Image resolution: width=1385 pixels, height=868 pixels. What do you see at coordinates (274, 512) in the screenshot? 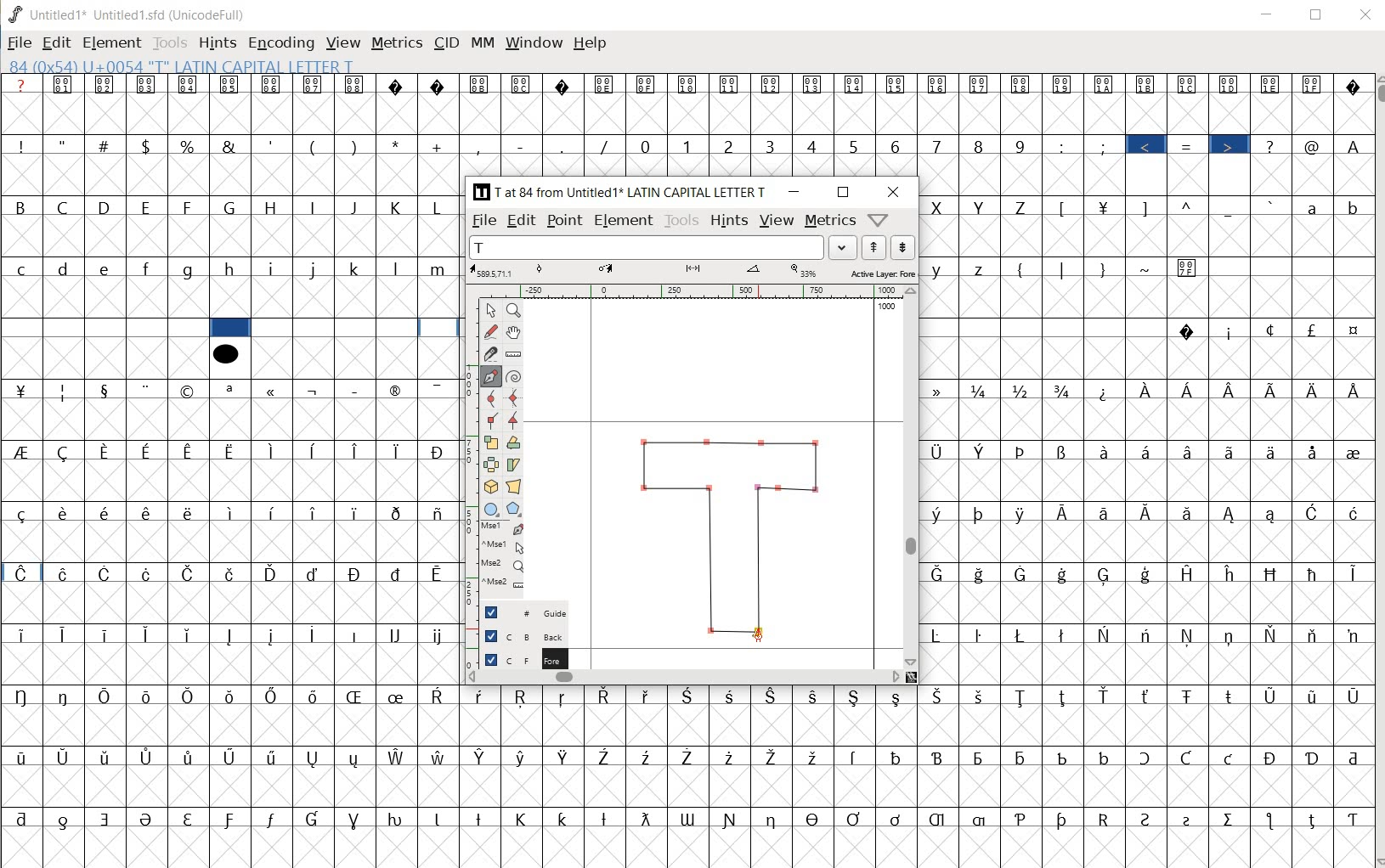
I see `Symbol` at bounding box center [274, 512].